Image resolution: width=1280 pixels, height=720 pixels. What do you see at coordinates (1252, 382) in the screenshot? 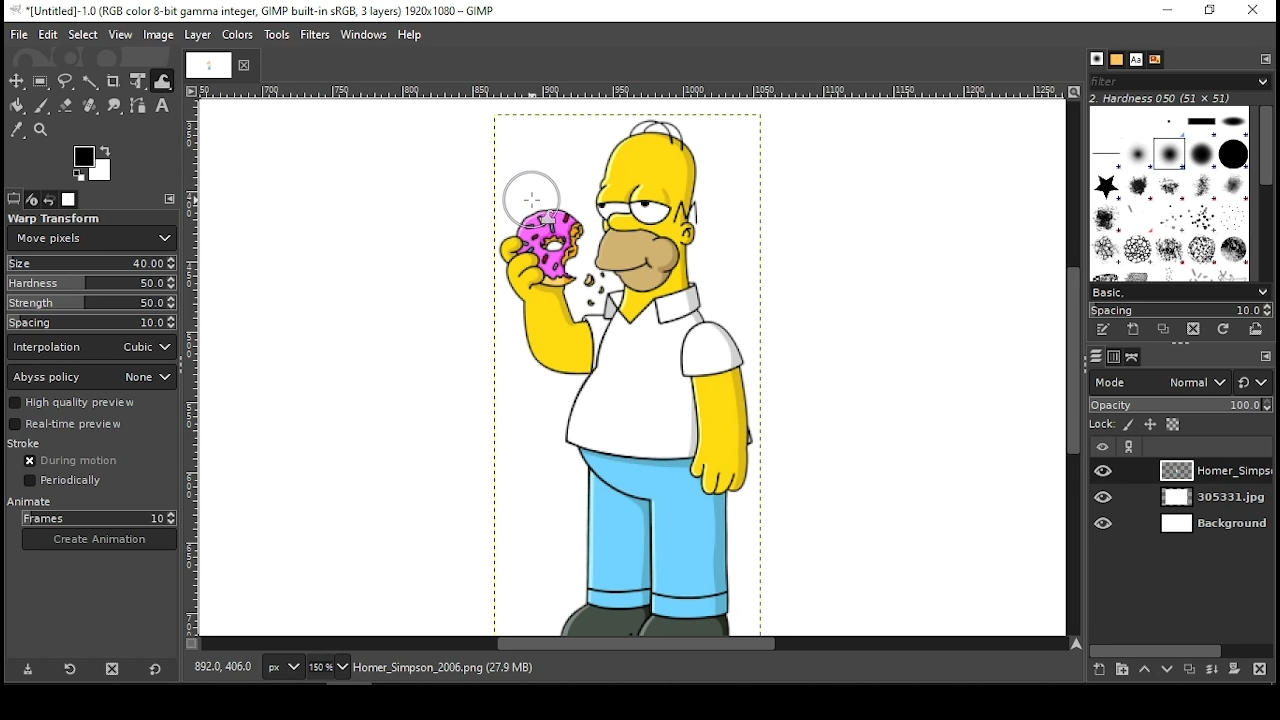
I see `switch to another group of modes` at bounding box center [1252, 382].